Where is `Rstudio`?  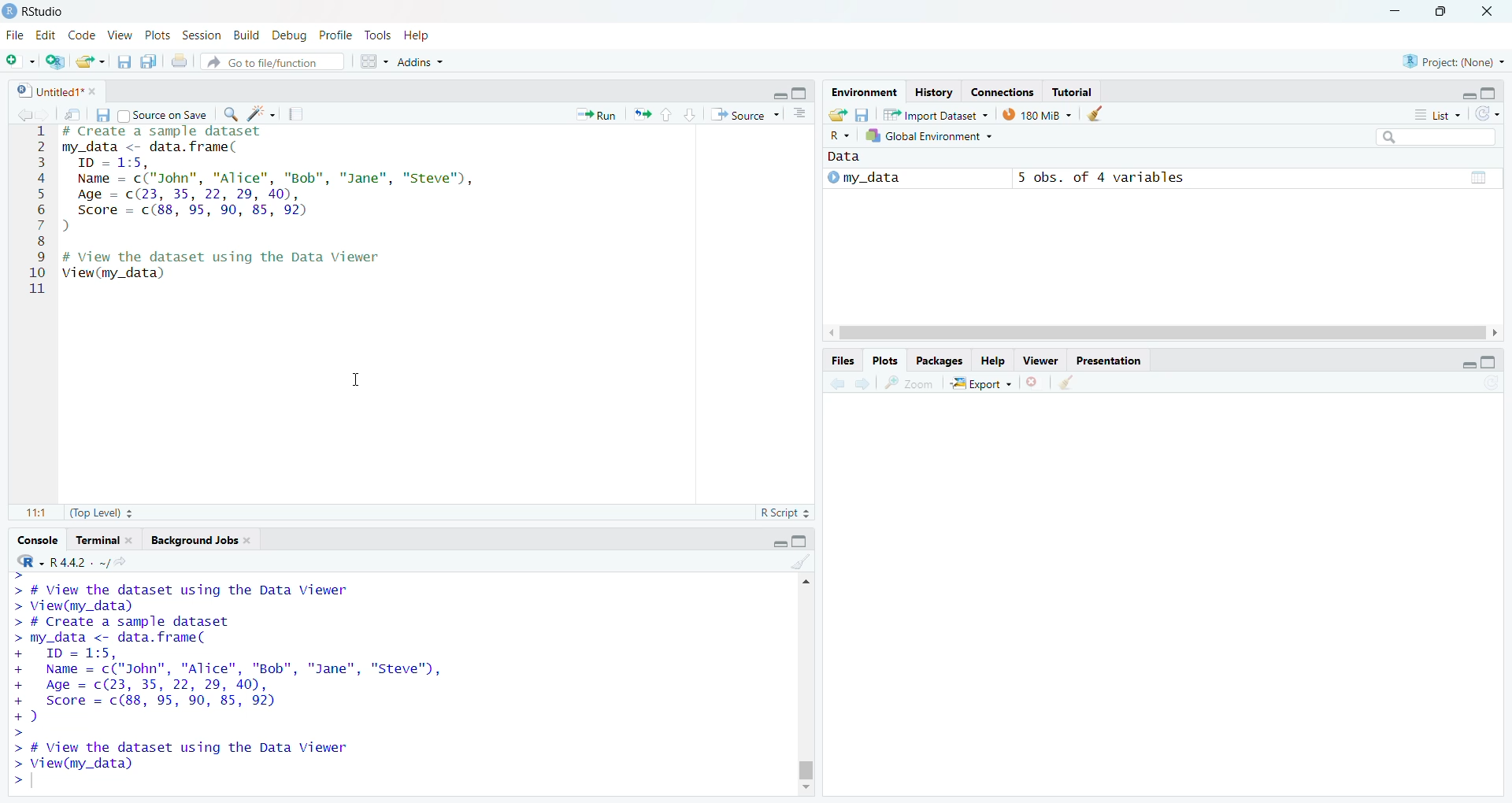 Rstudio is located at coordinates (34, 11).